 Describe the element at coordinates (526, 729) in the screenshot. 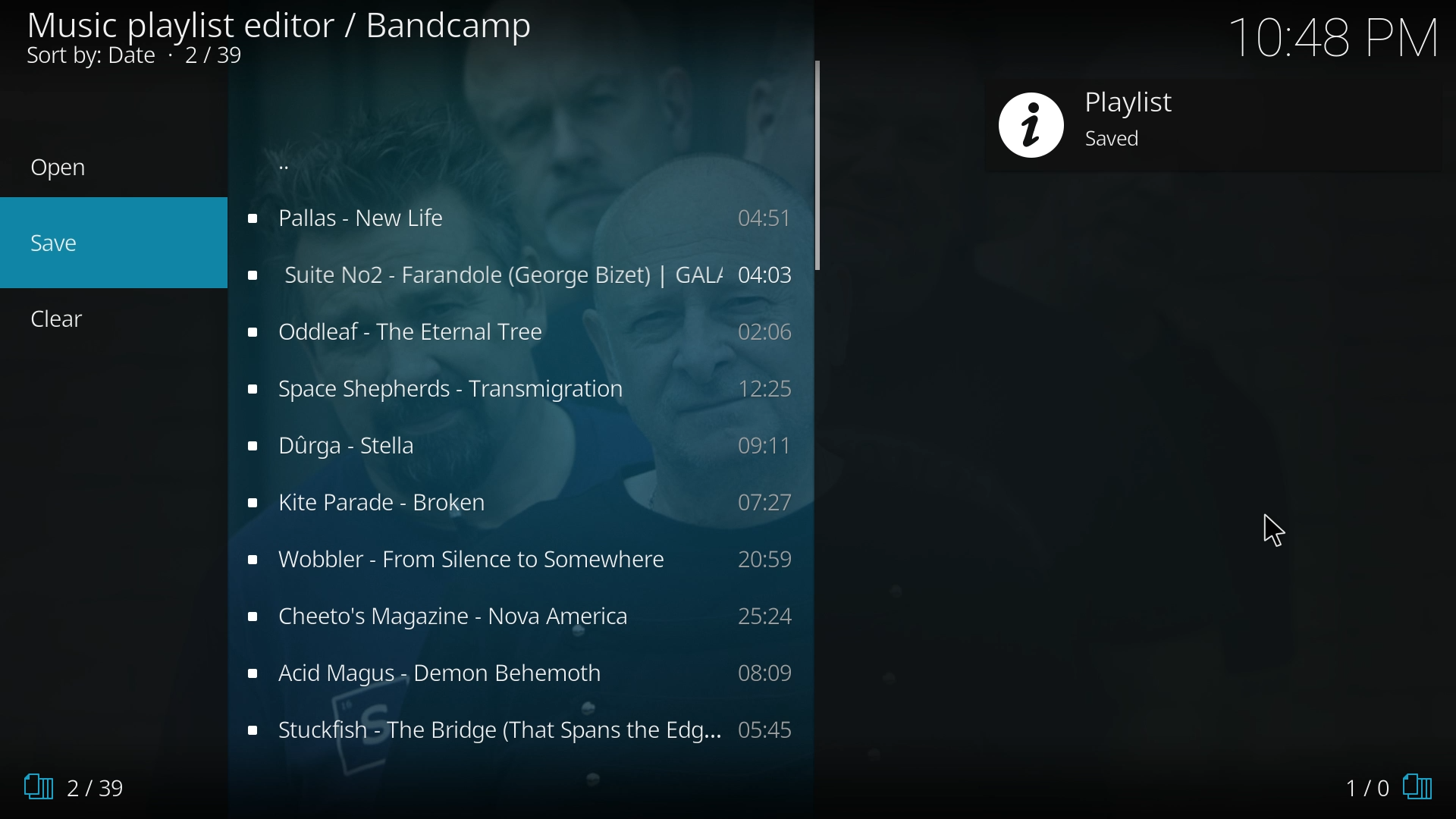

I see `song` at that location.